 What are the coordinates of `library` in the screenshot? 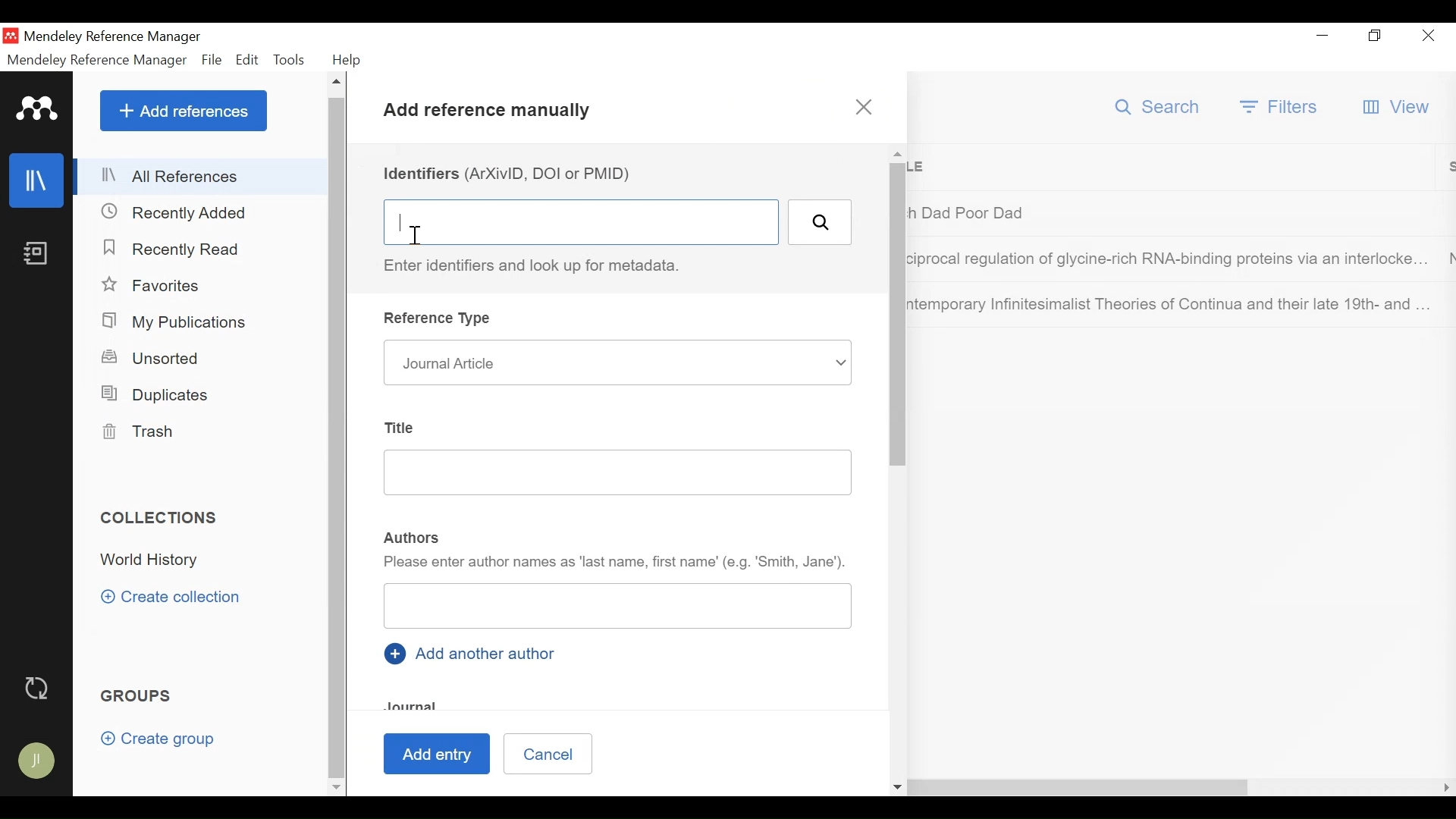 It's located at (38, 180).